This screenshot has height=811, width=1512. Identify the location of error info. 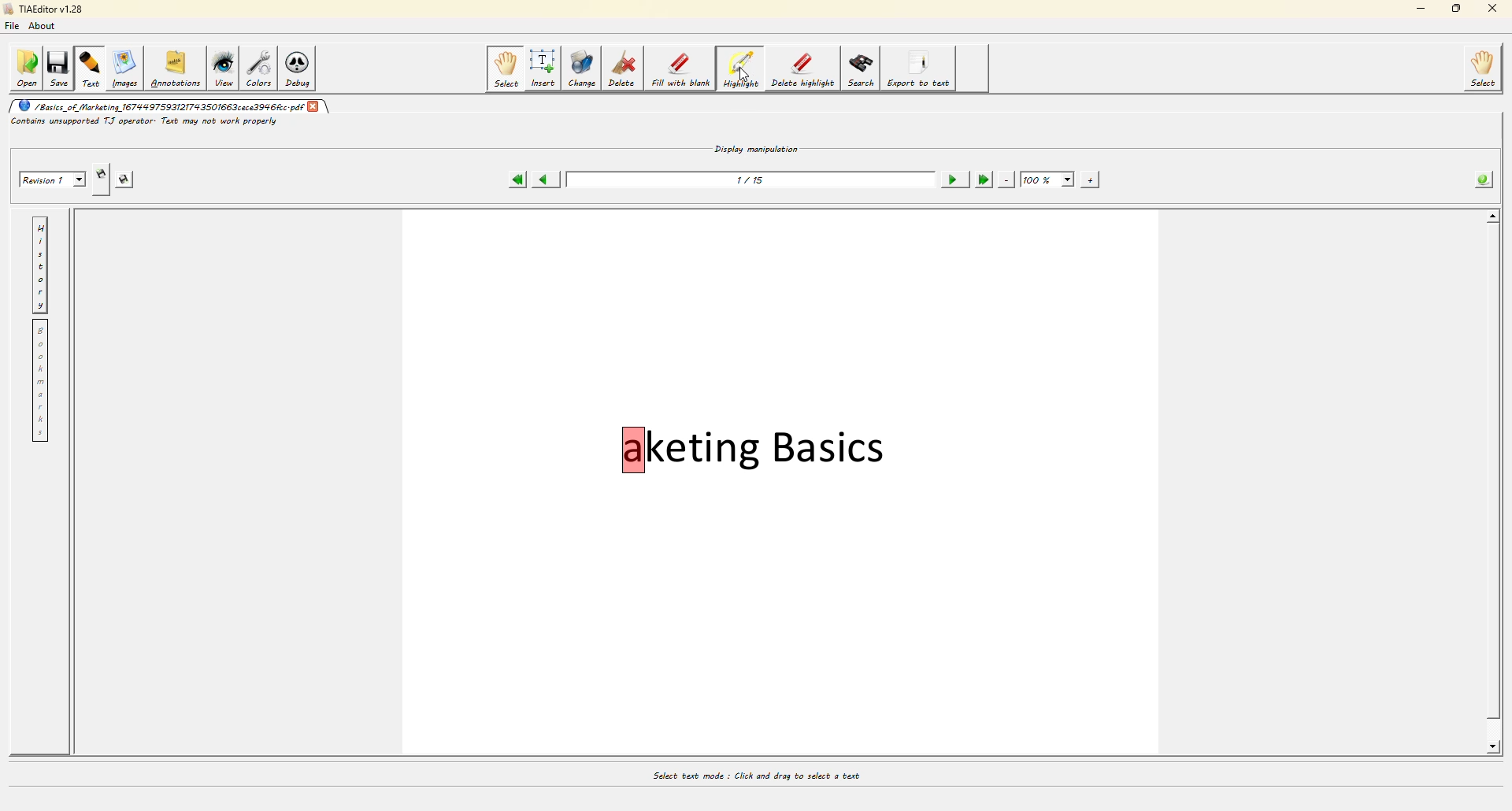
(140, 122).